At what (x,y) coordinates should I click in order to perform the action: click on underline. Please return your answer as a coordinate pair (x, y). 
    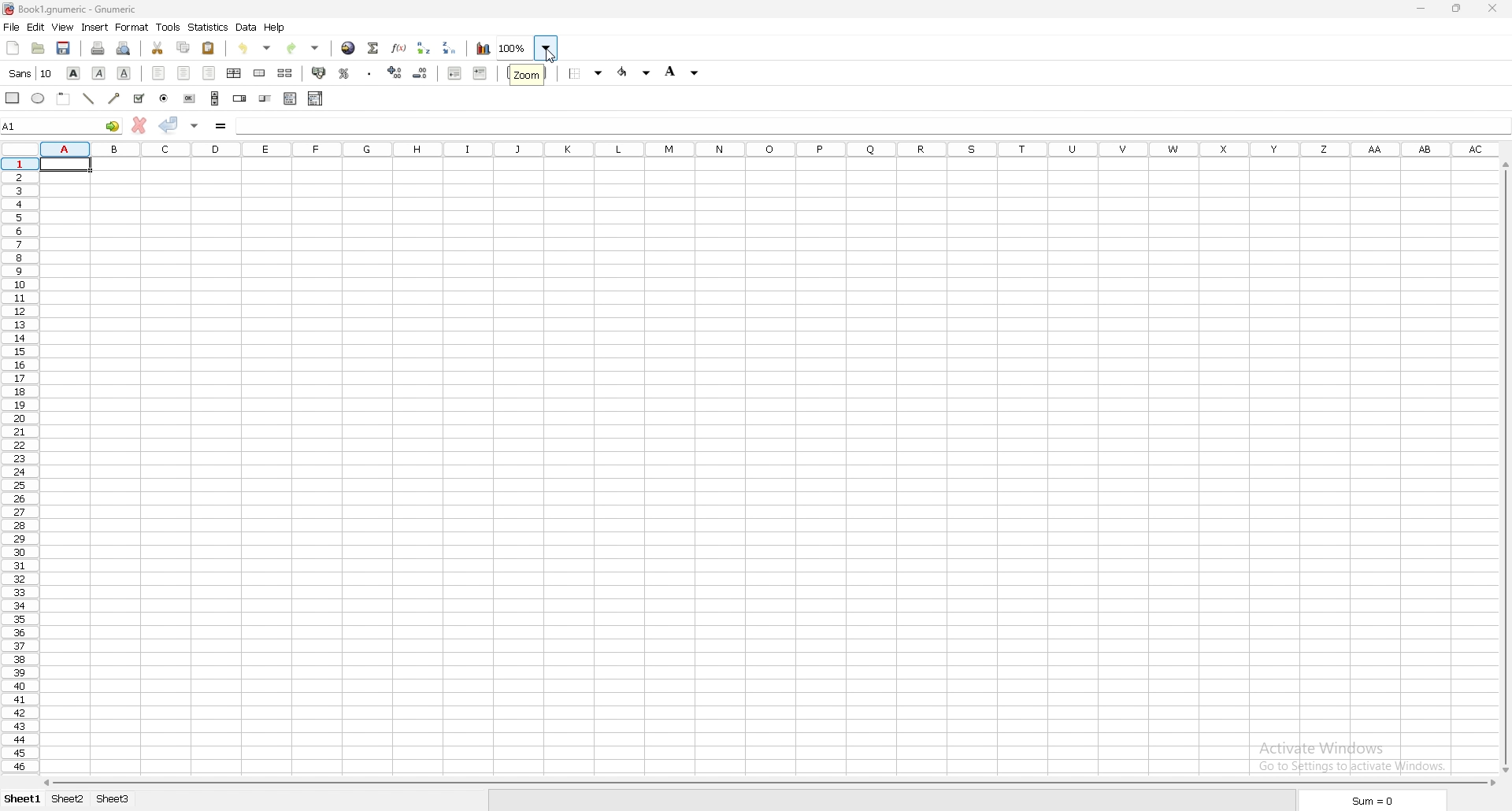
    Looking at the image, I should click on (124, 73).